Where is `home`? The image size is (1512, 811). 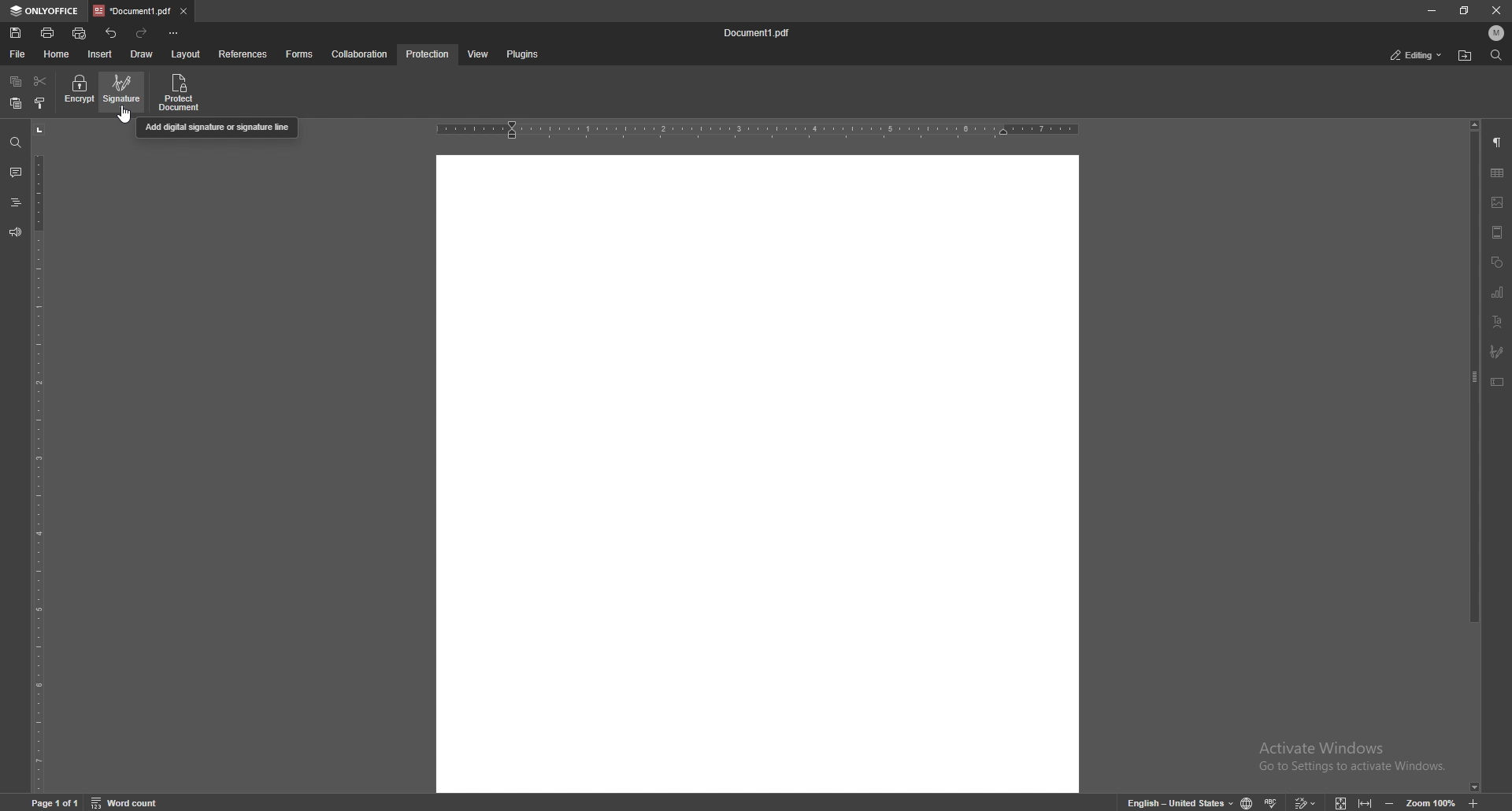 home is located at coordinates (59, 54).